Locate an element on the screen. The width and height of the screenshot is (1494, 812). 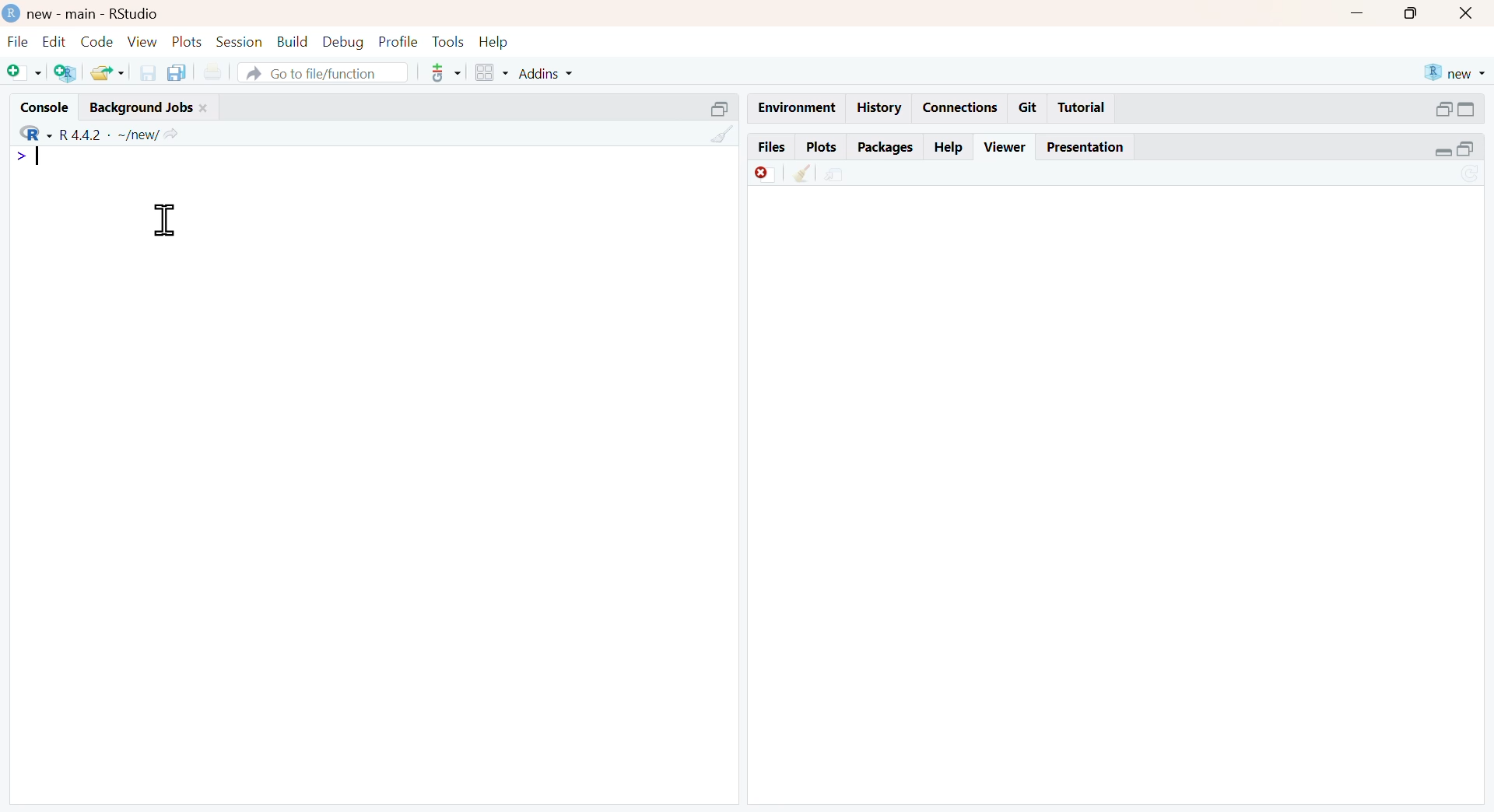
minimize is located at coordinates (1366, 16).